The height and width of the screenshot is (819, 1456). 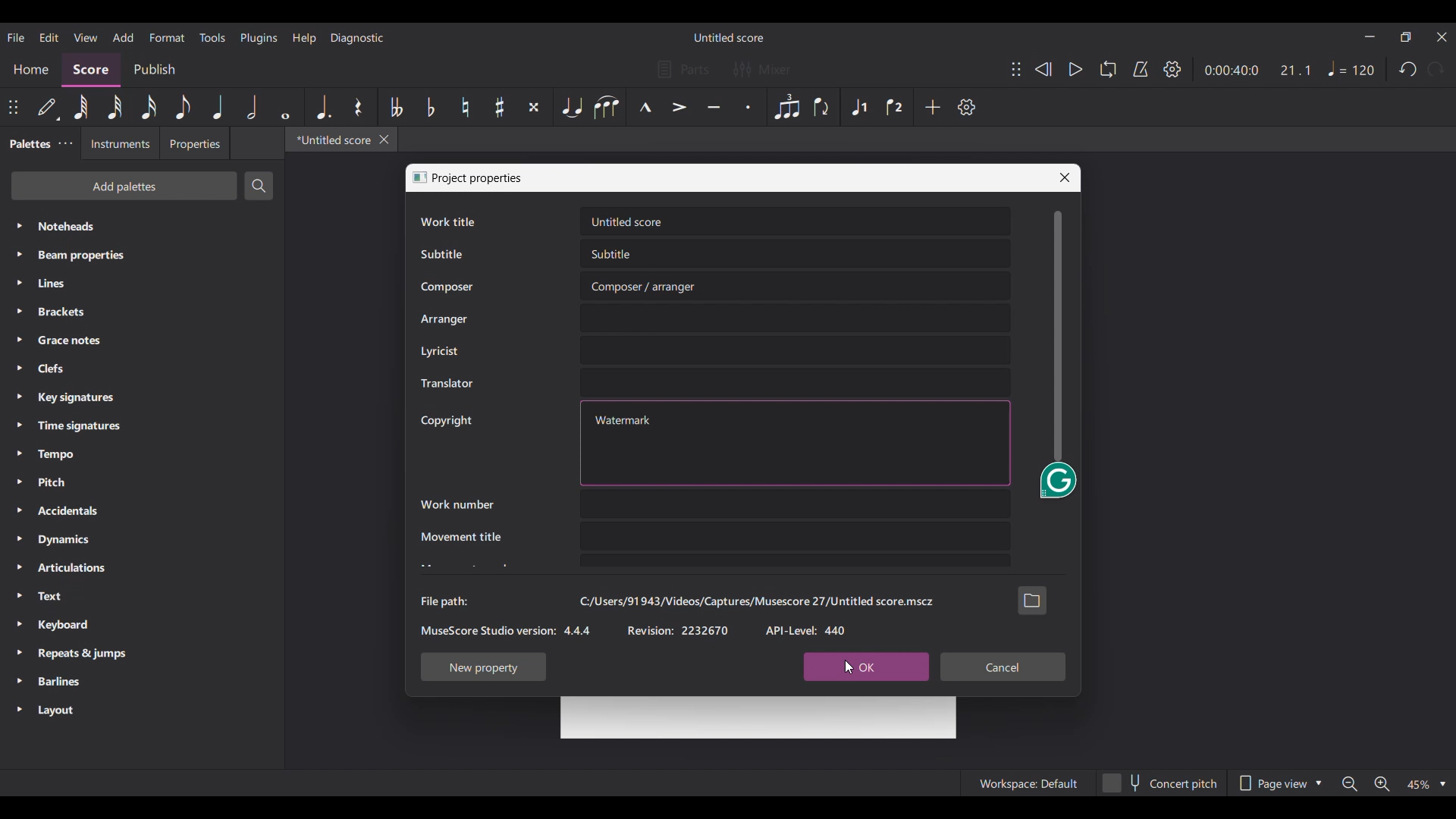 I want to click on Clefs, so click(x=141, y=368).